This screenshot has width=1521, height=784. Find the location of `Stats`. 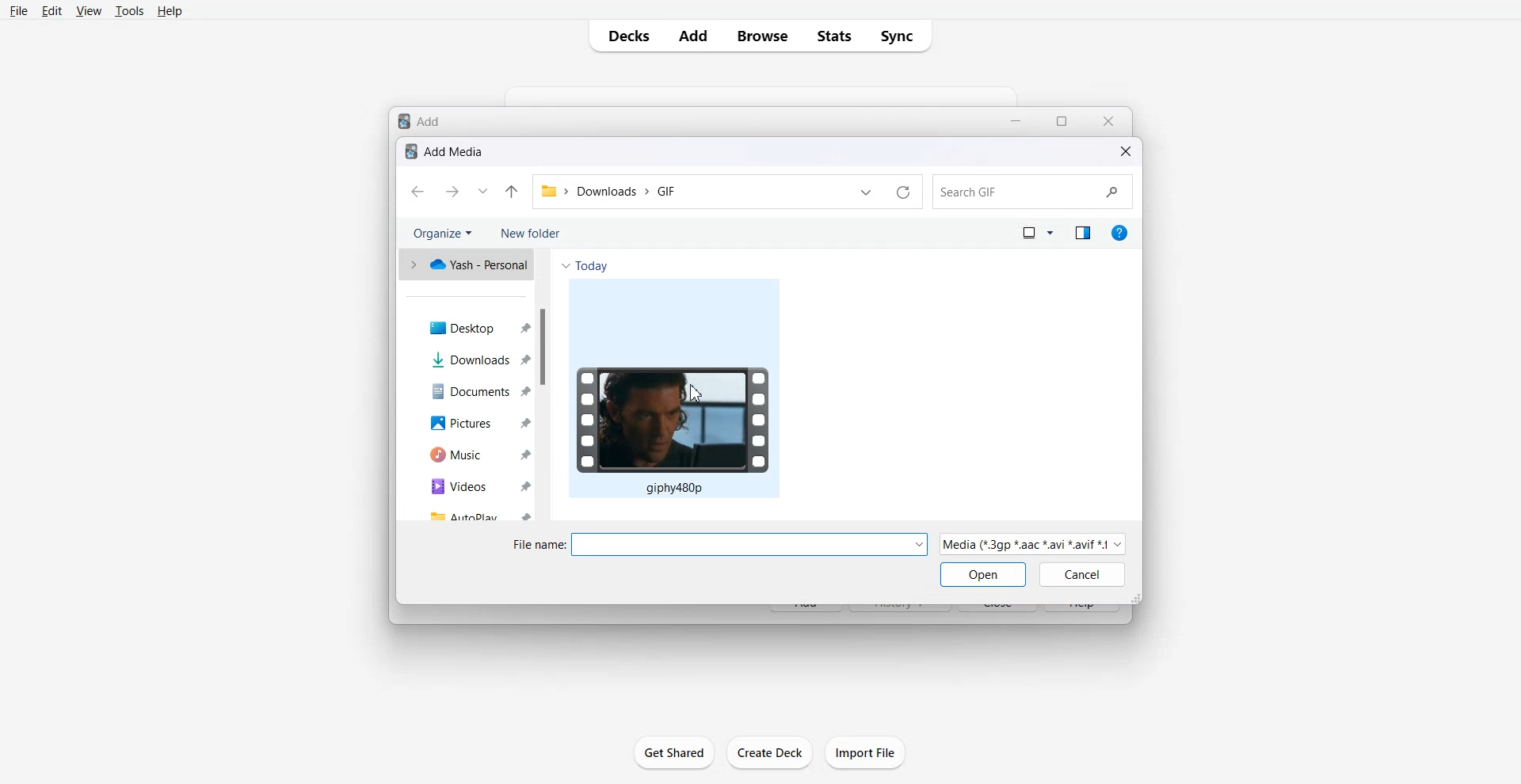

Stats is located at coordinates (835, 36).